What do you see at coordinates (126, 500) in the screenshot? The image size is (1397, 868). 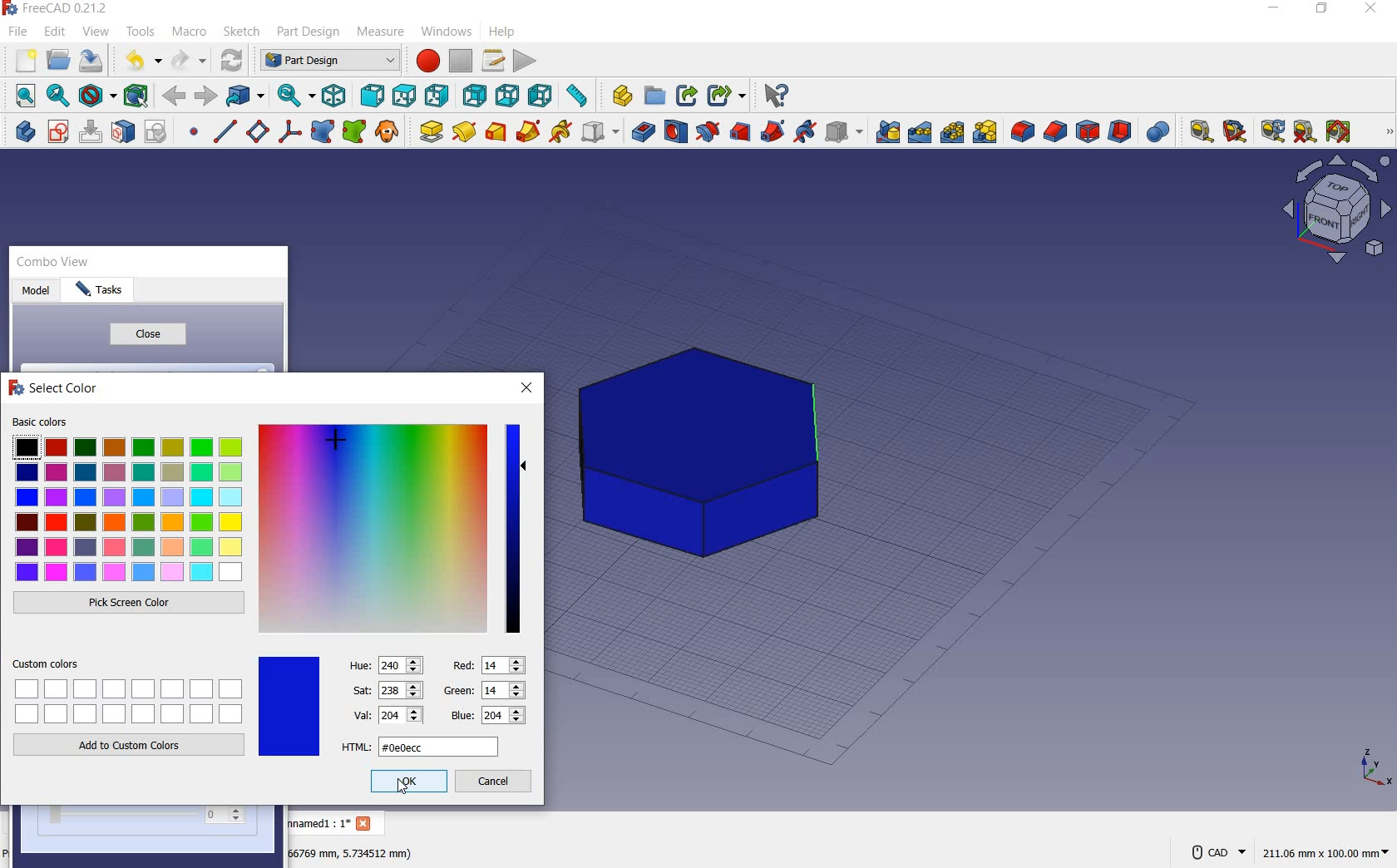 I see `basic colors` at bounding box center [126, 500].